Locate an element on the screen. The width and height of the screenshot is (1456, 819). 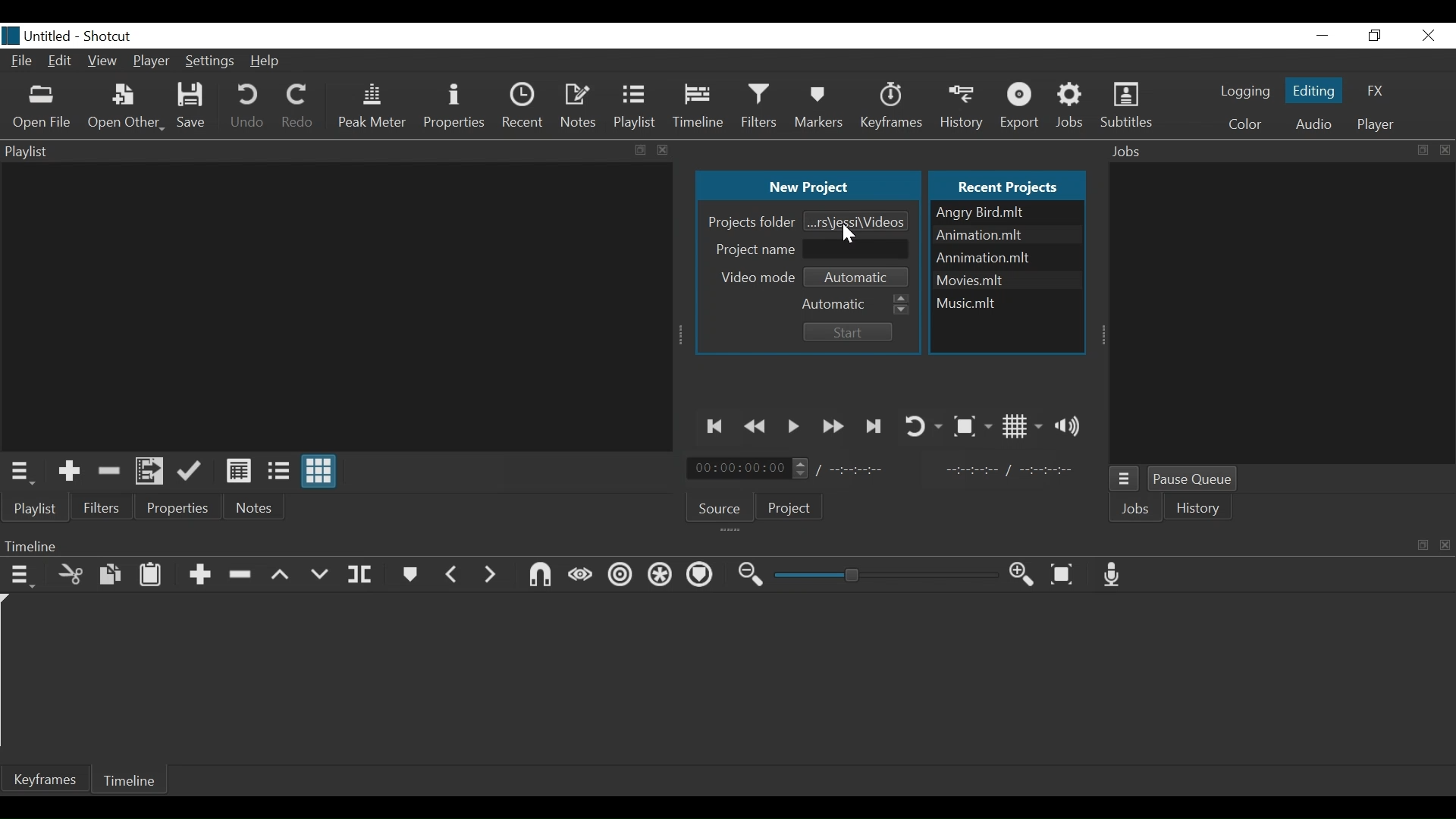
Start is located at coordinates (845, 332).